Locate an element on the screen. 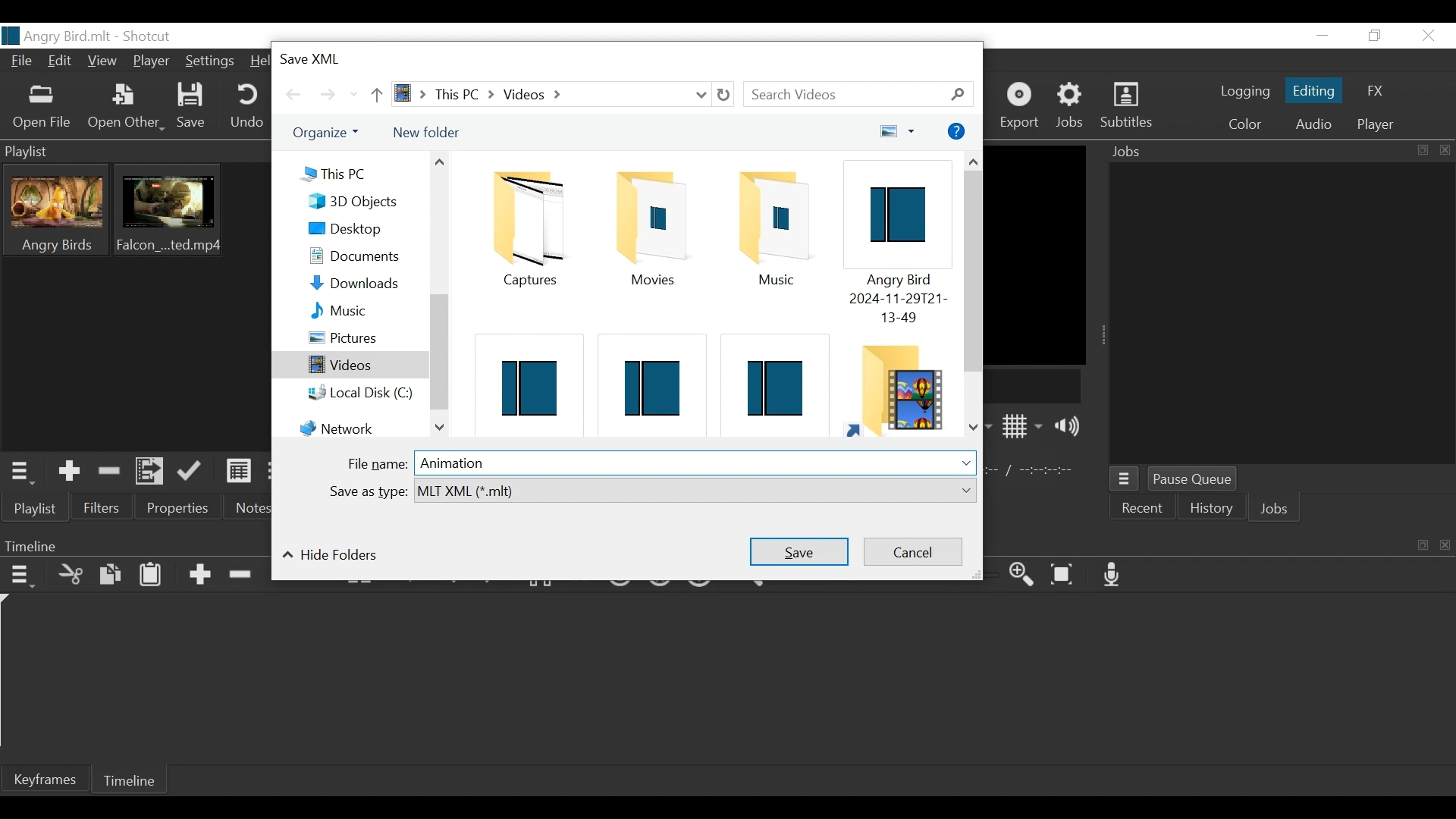  Player is located at coordinates (149, 63).